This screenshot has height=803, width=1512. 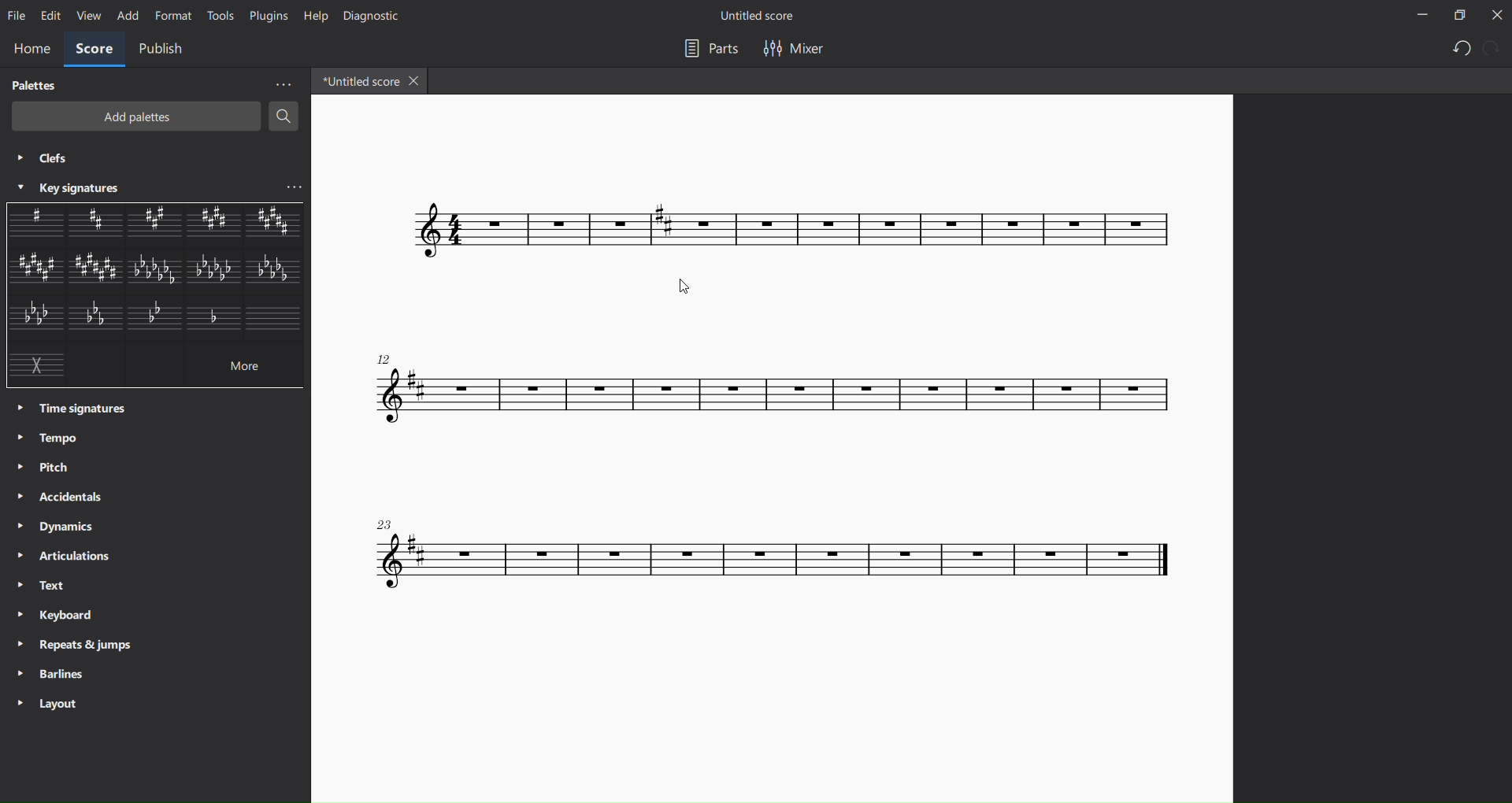 I want to click on close tab, so click(x=416, y=82).